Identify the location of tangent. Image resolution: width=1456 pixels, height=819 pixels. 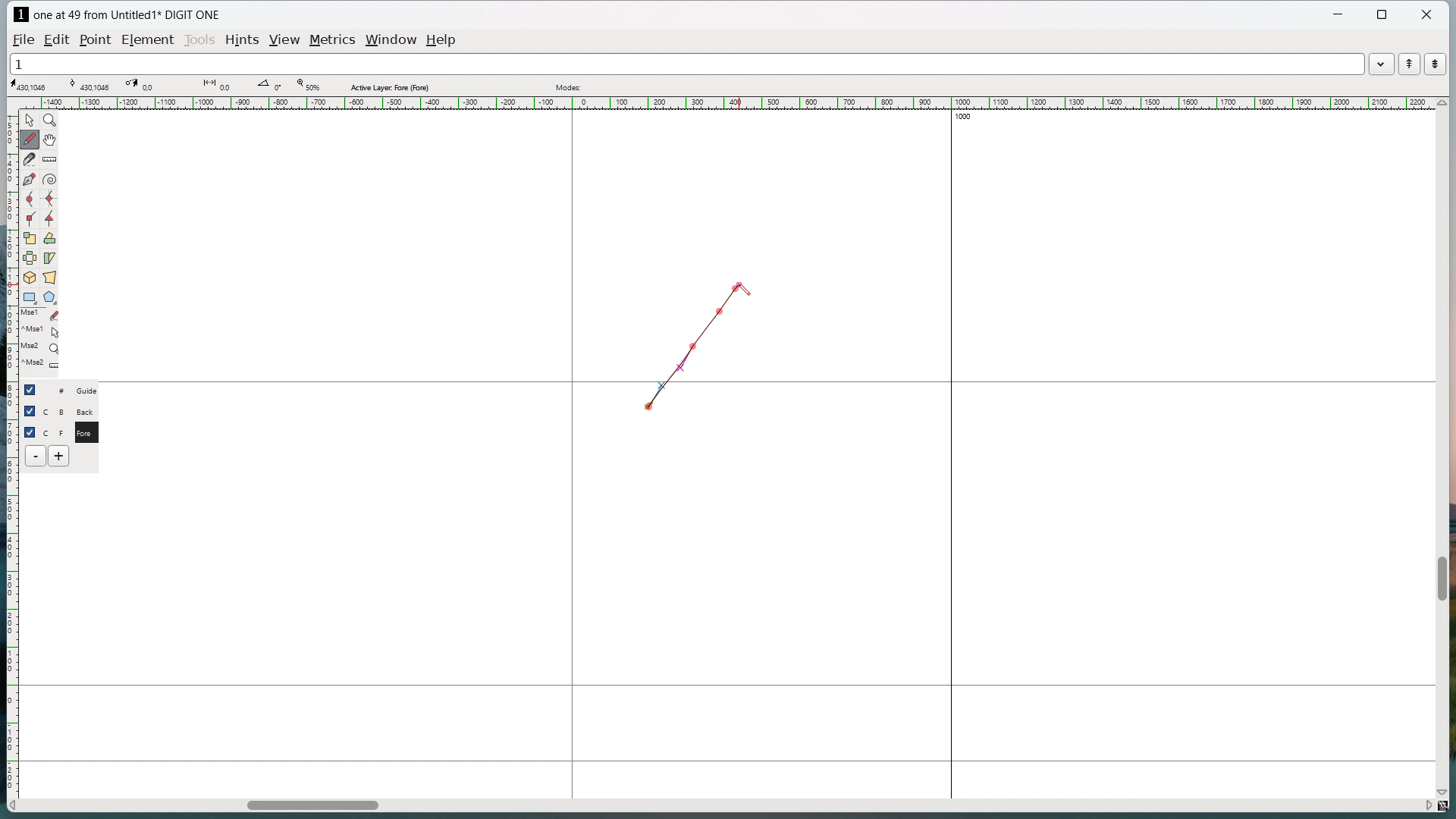
(89, 84).